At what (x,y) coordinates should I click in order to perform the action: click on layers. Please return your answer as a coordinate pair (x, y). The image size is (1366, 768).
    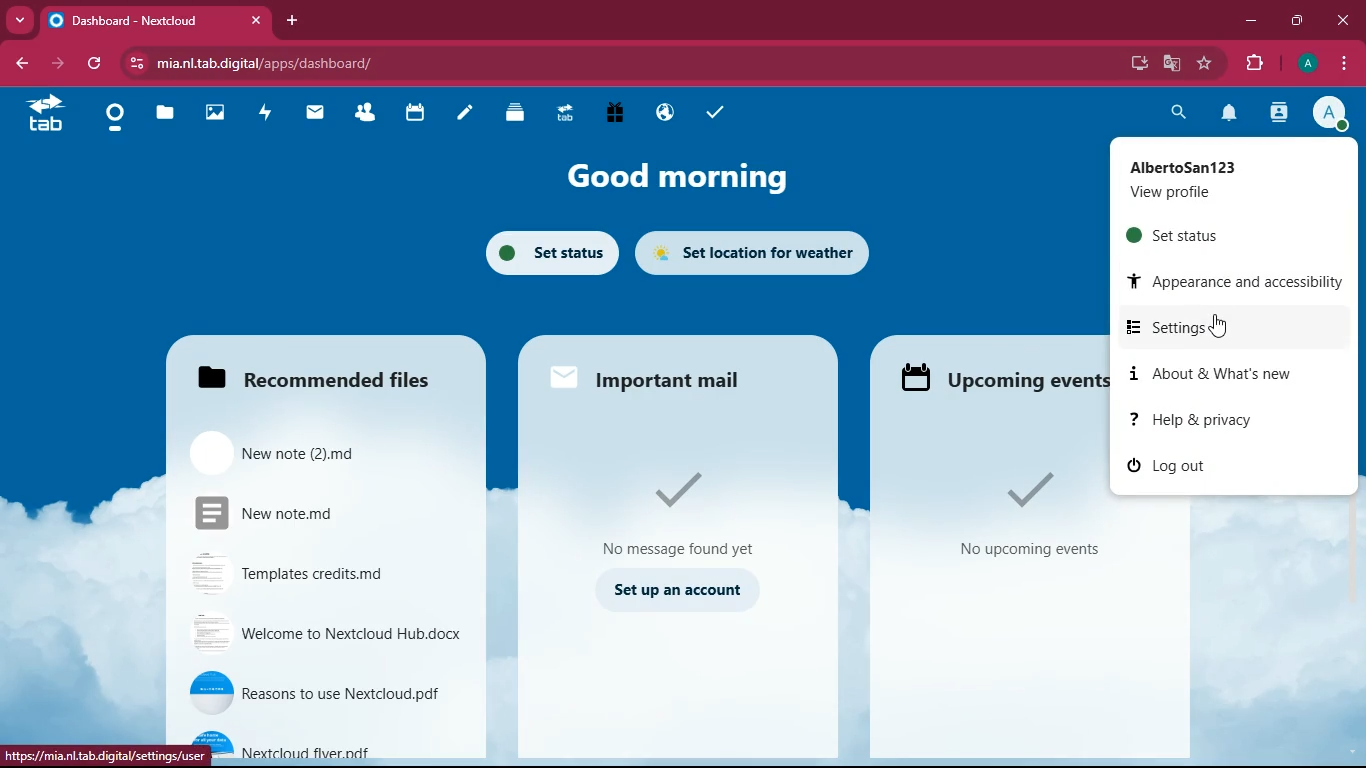
    Looking at the image, I should click on (514, 113).